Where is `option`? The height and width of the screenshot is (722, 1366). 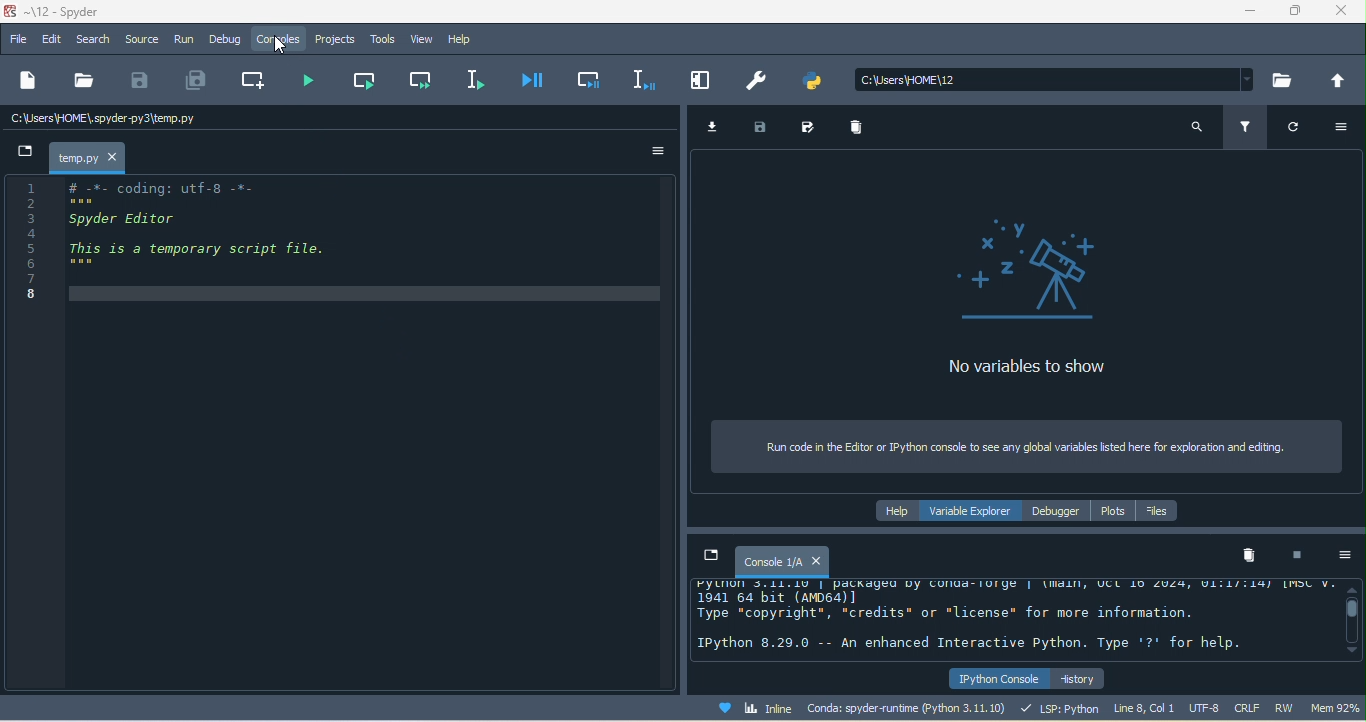 option is located at coordinates (657, 151).